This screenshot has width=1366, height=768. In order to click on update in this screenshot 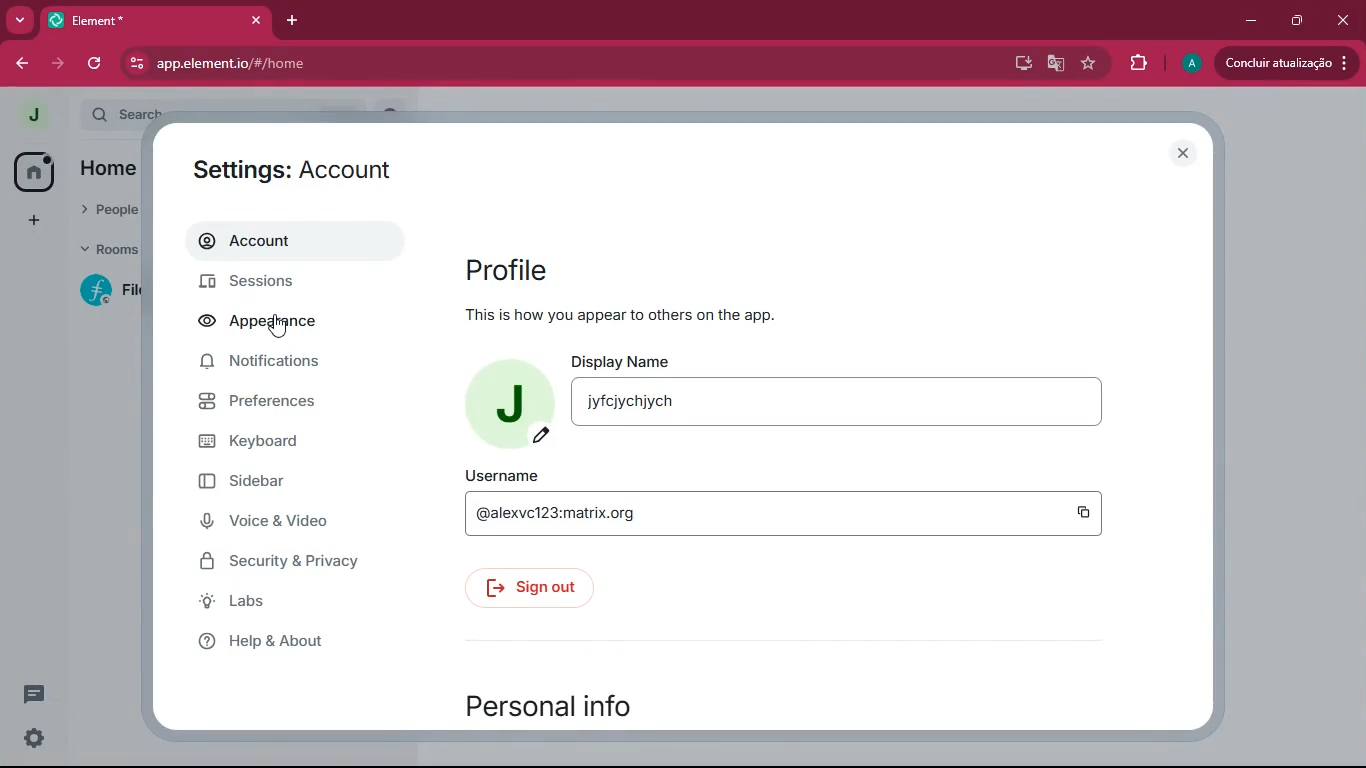, I will do `click(1285, 62)`.